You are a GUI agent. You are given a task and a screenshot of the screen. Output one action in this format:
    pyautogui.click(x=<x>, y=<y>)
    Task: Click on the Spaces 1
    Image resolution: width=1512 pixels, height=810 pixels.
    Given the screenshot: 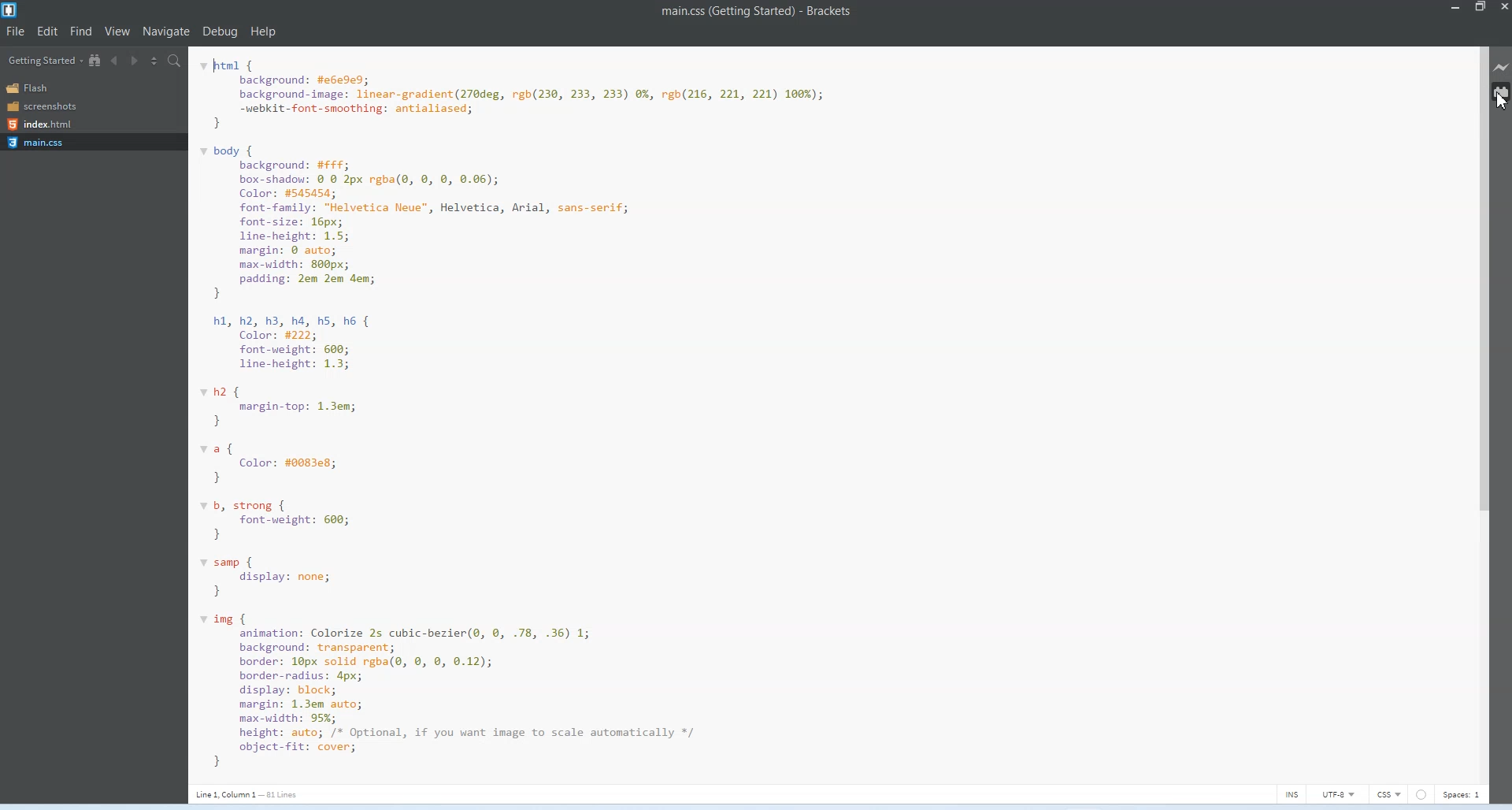 What is the action you would take?
    pyautogui.click(x=1463, y=795)
    